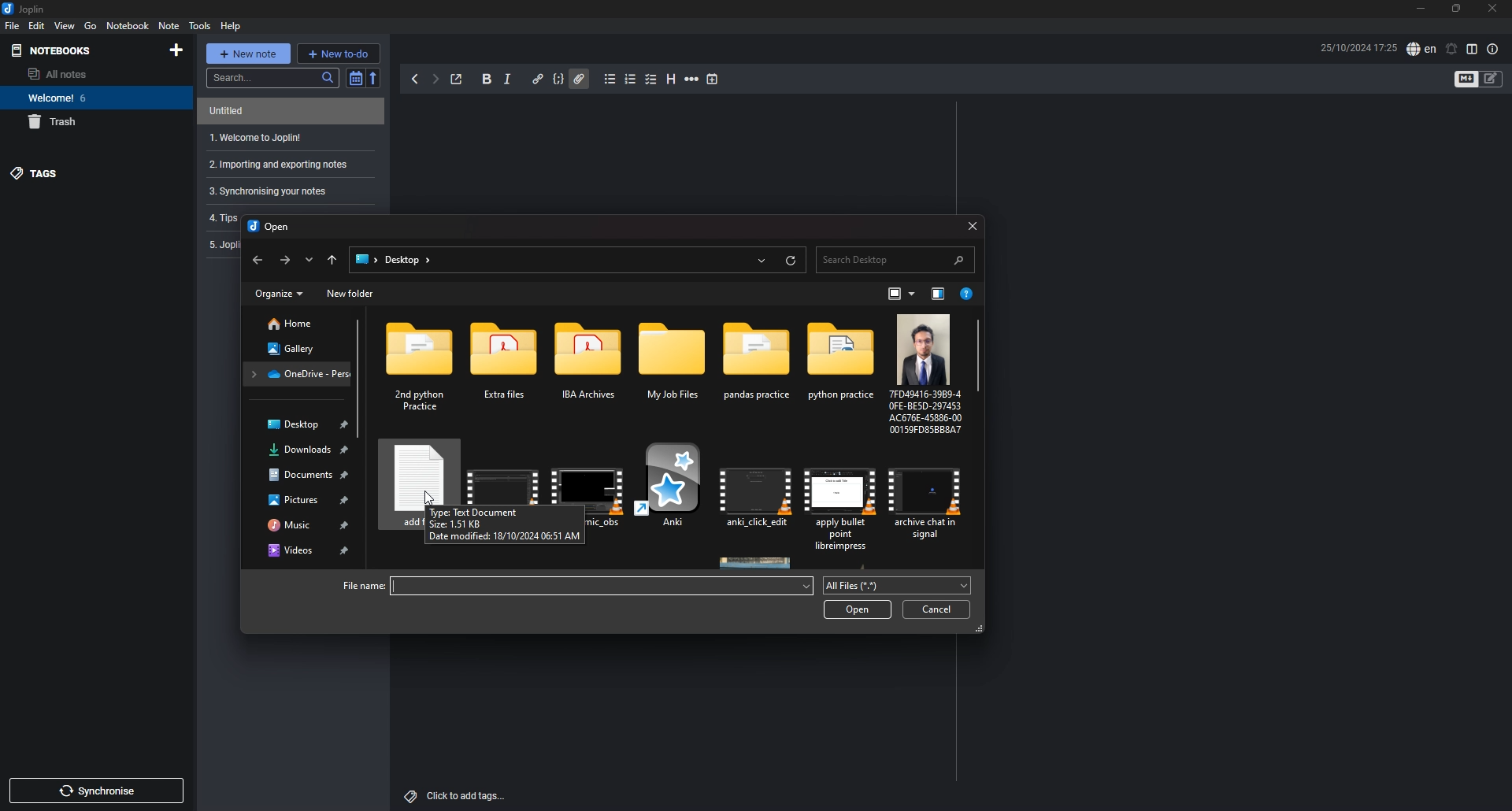  Describe the element at coordinates (12, 25) in the screenshot. I see `file` at that location.